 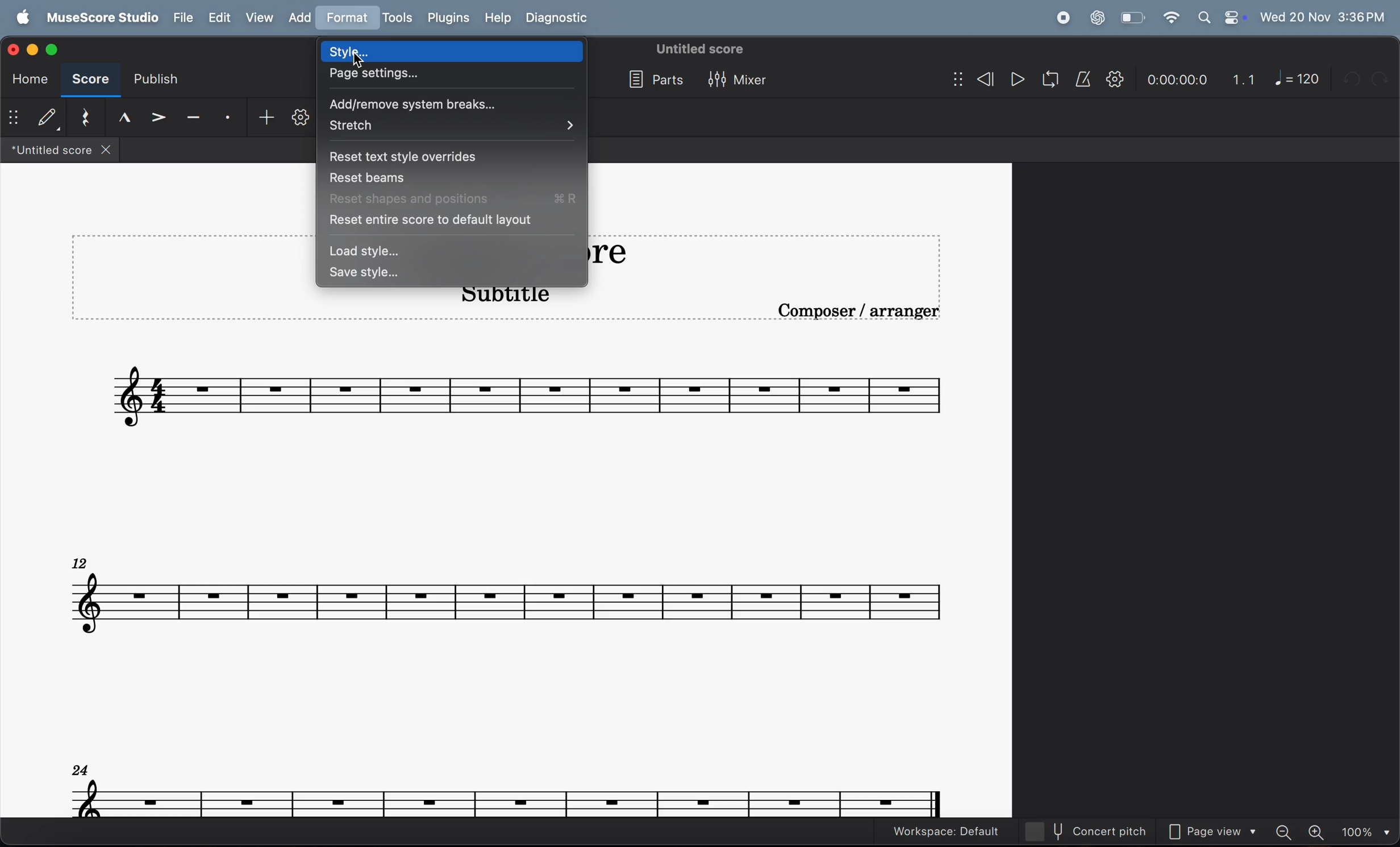 What do you see at coordinates (1093, 831) in the screenshot?
I see `concert pitch` at bounding box center [1093, 831].